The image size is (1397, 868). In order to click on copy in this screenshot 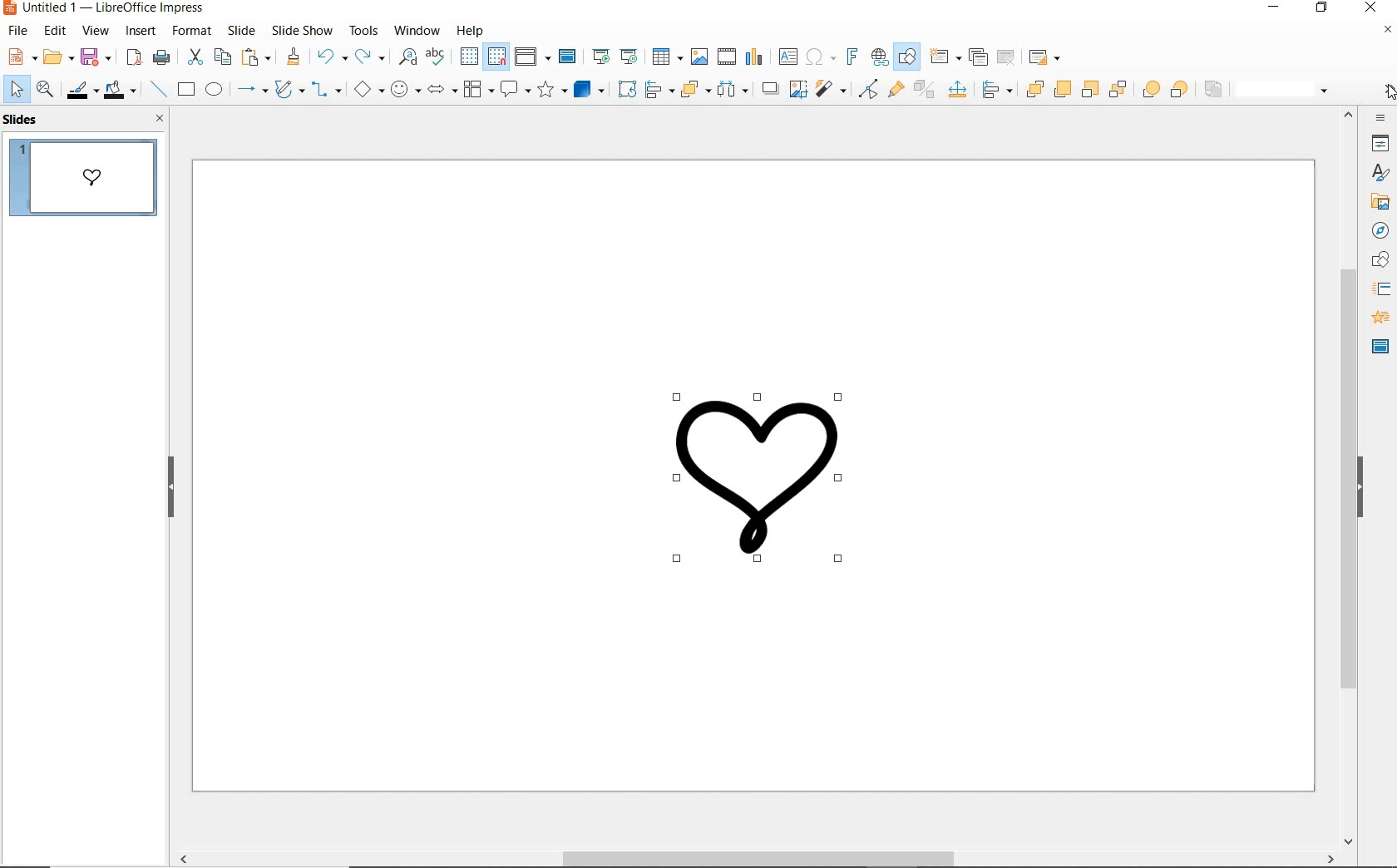, I will do `click(221, 57)`.